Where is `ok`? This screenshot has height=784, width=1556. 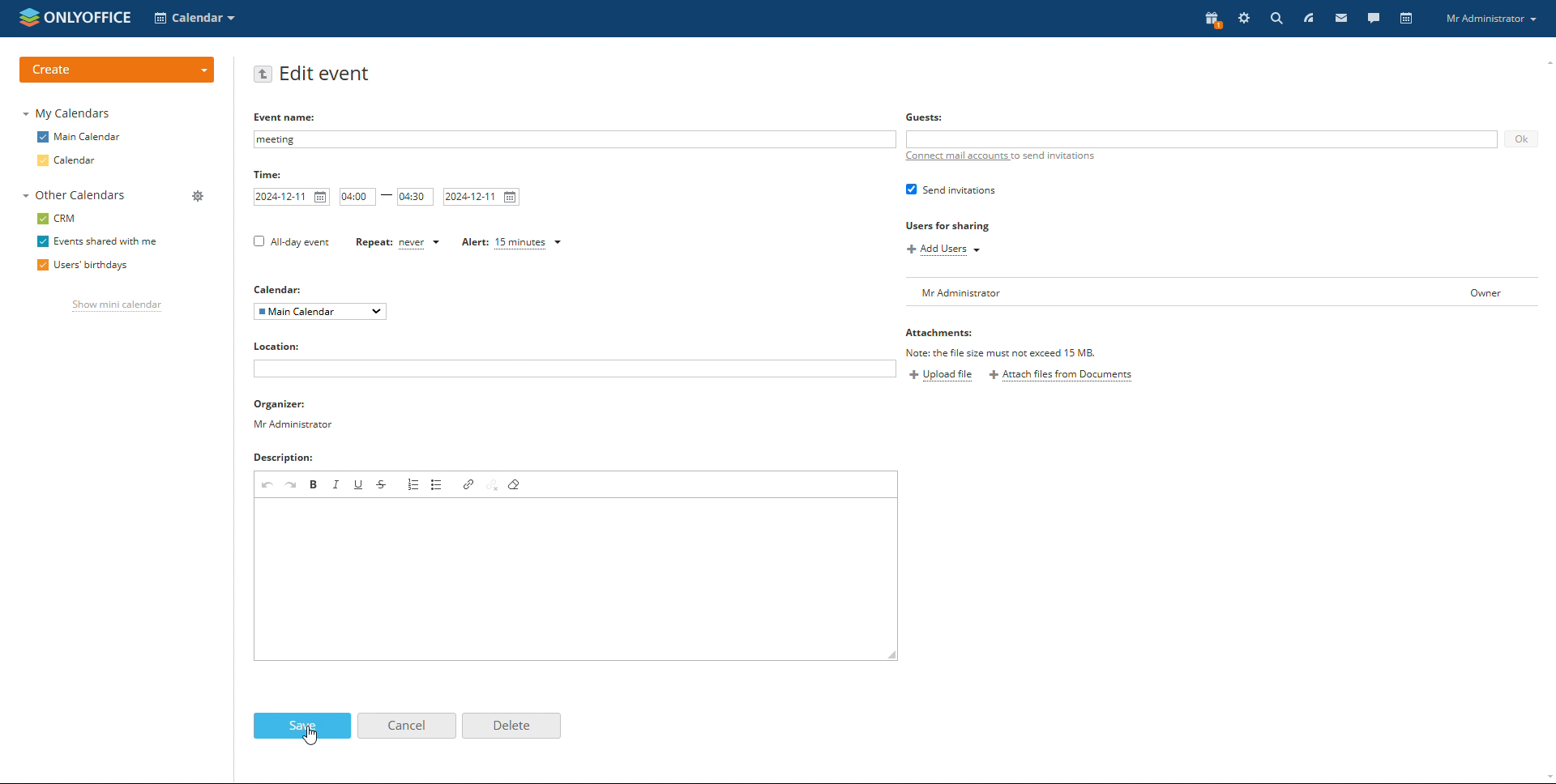 ok is located at coordinates (1520, 139).